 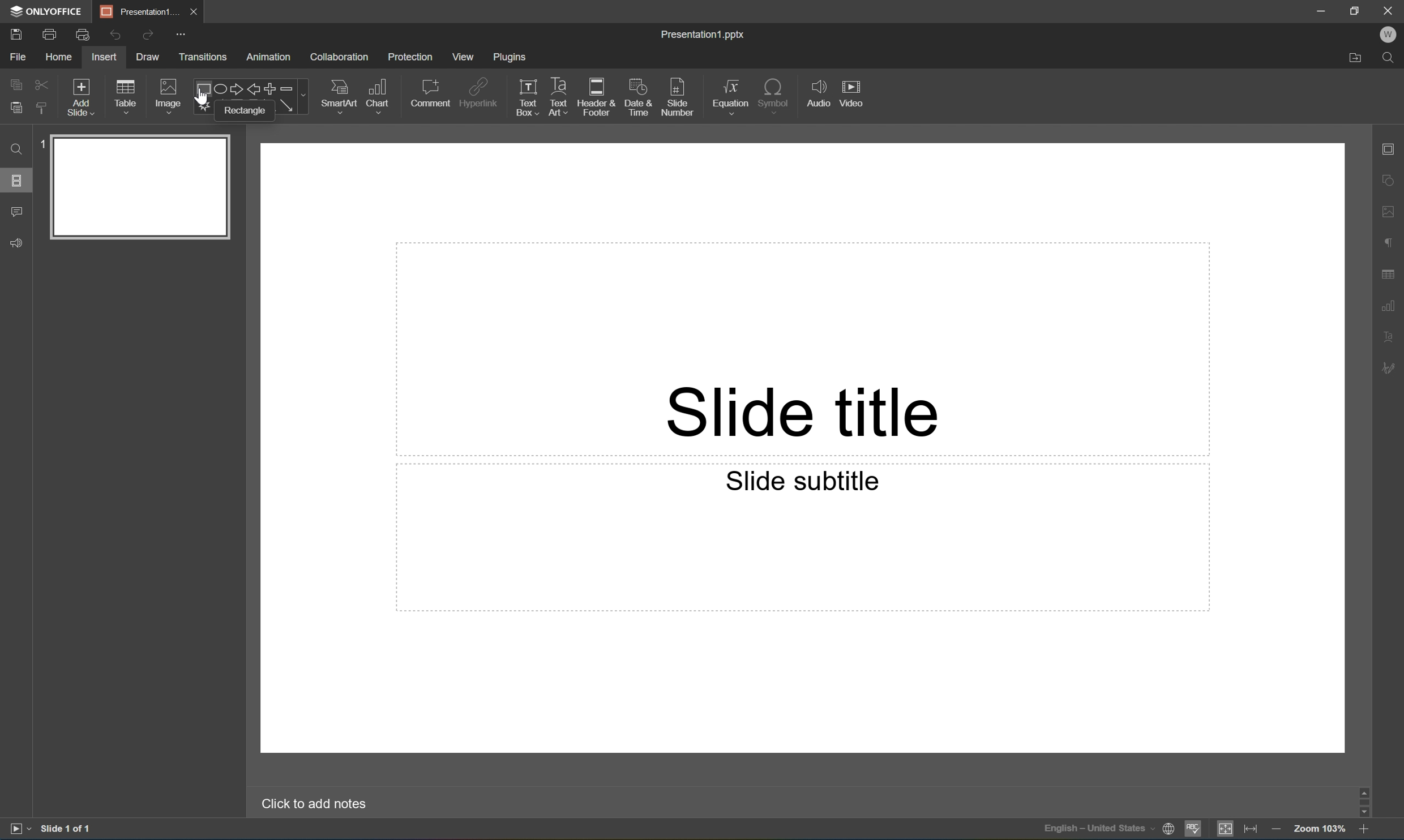 What do you see at coordinates (774, 94) in the screenshot?
I see `Symbol` at bounding box center [774, 94].